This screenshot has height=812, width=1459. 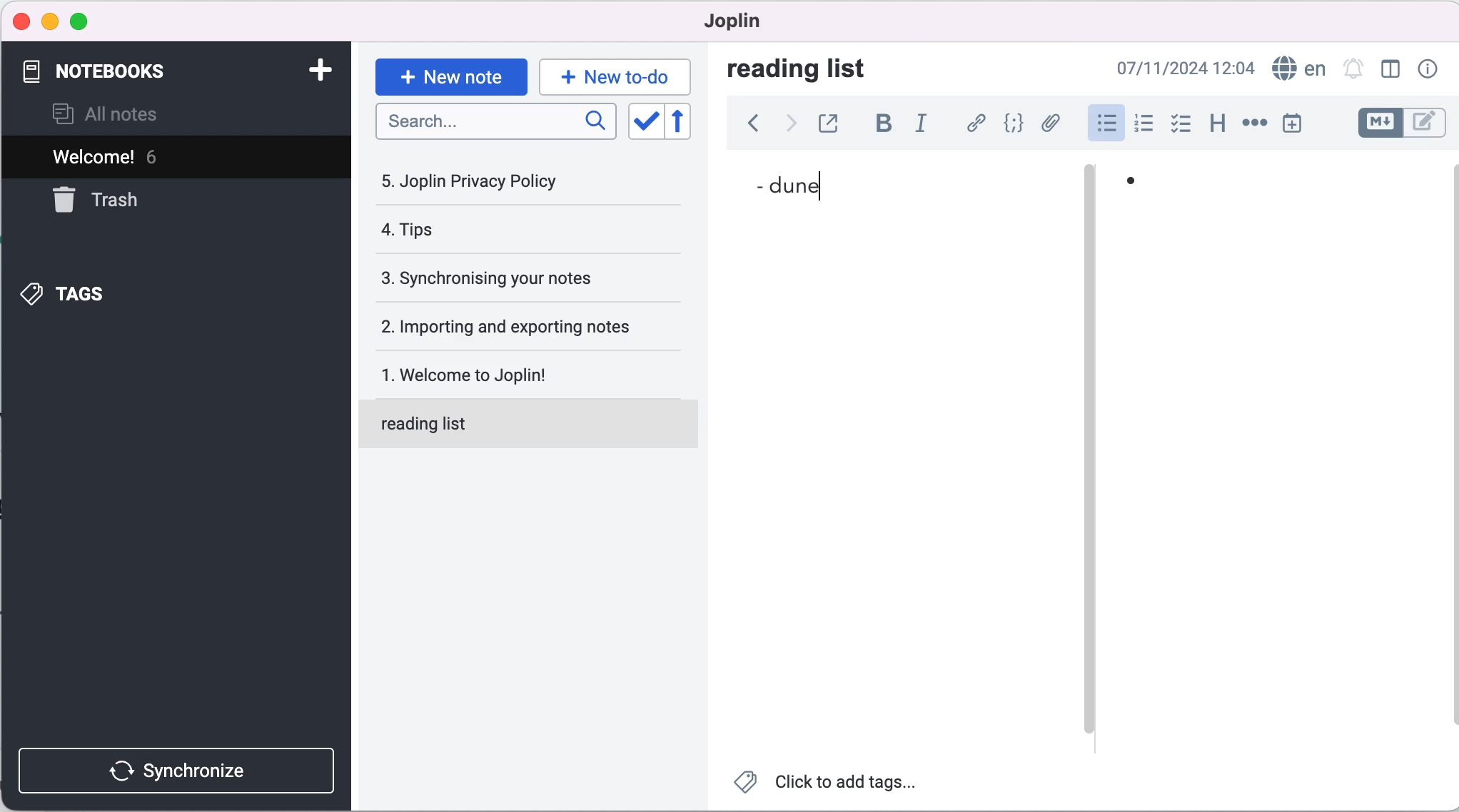 I want to click on horizontal rule, so click(x=1254, y=125).